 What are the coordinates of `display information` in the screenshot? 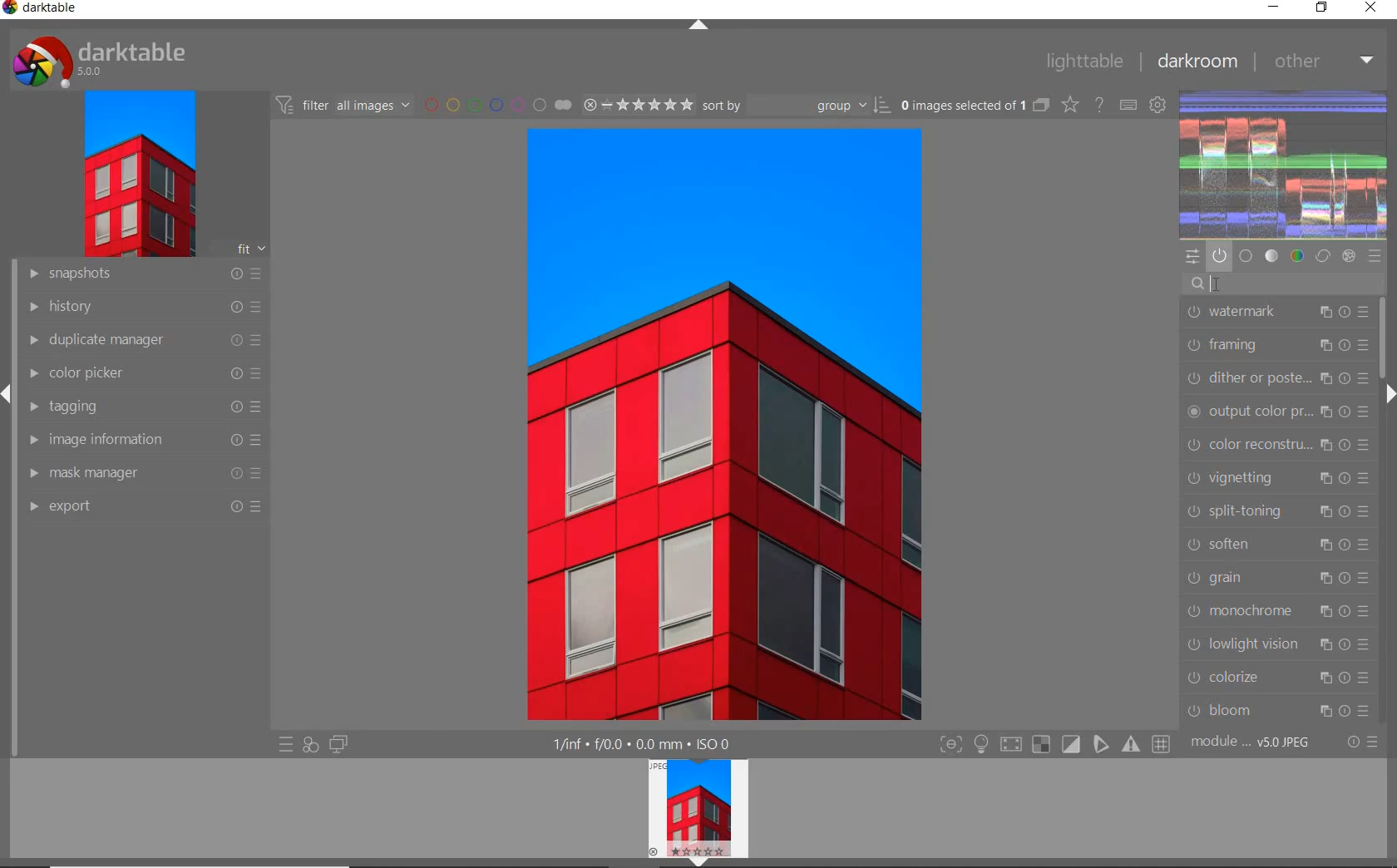 It's located at (643, 744).